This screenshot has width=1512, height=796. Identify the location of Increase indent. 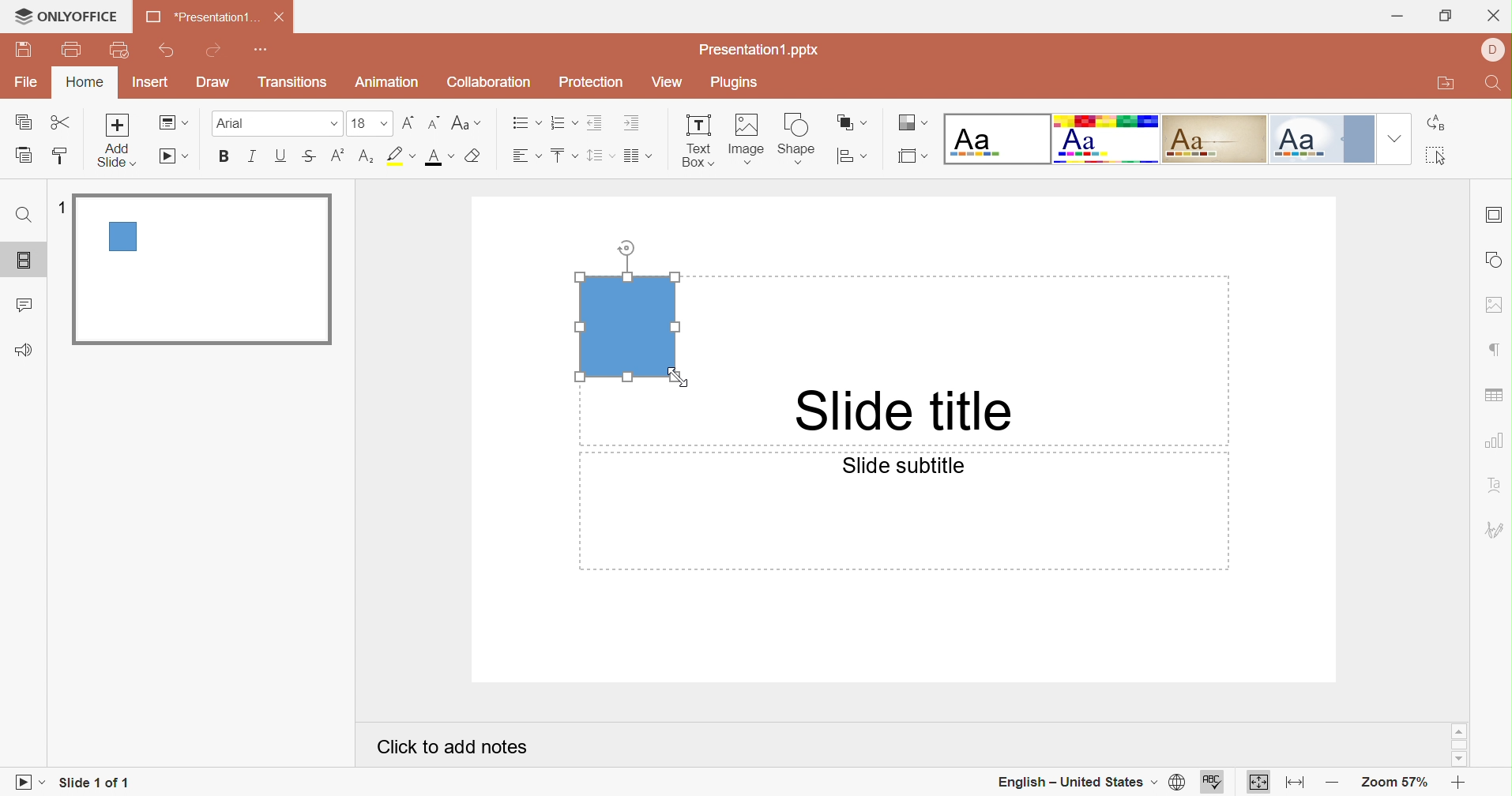
(634, 122).